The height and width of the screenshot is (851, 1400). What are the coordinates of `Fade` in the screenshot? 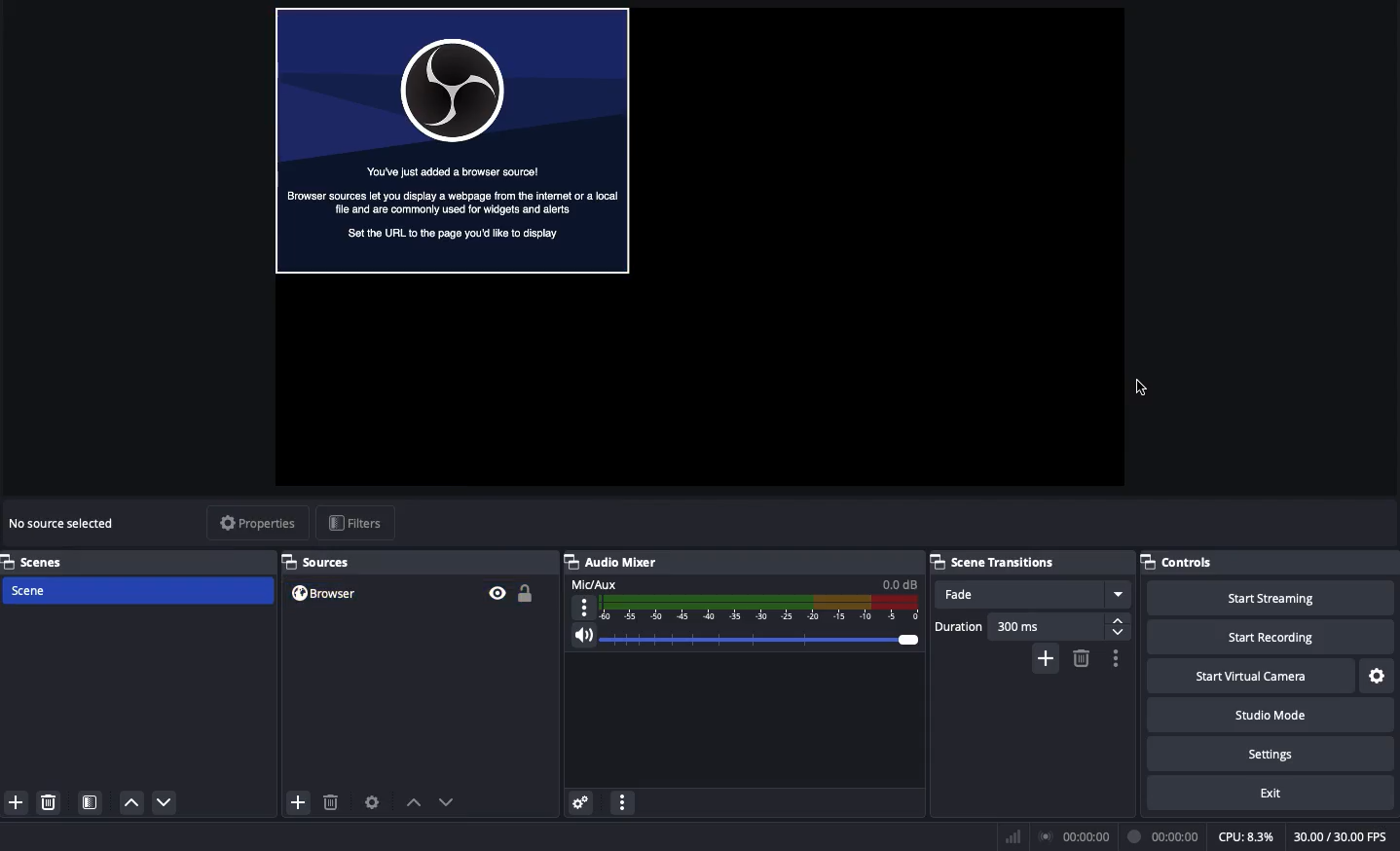 It's located at (1034, 593).